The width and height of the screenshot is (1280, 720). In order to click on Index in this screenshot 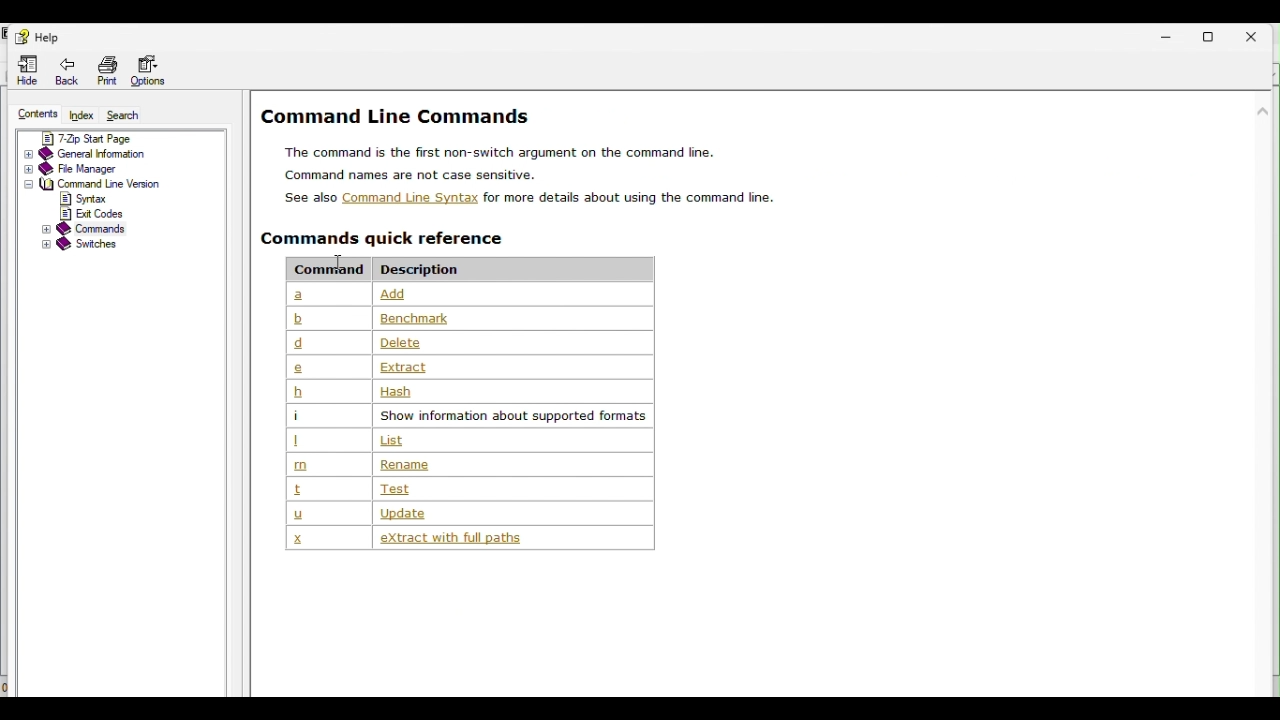, I will do `click(82, 115)`.